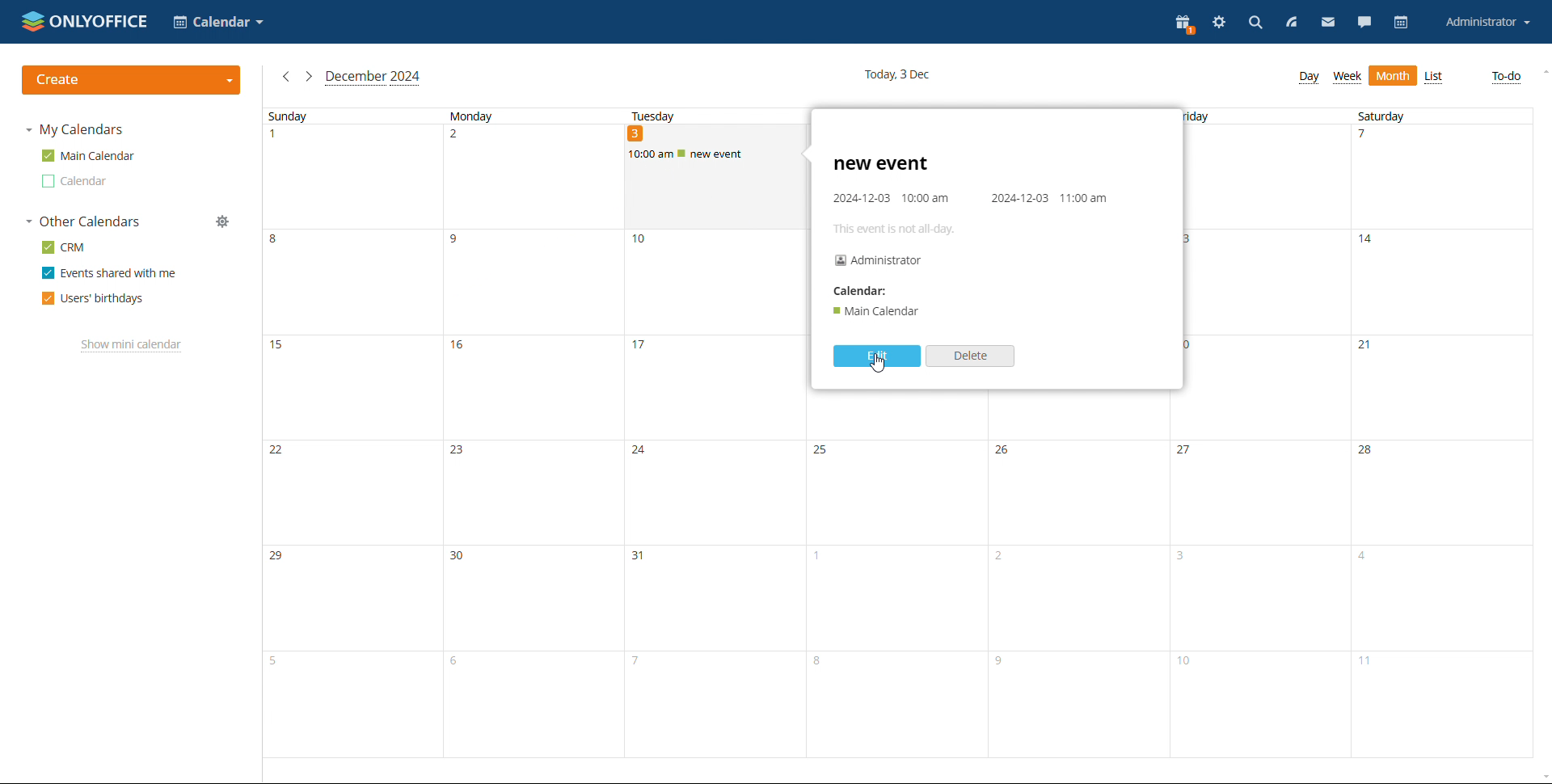 Image resolution: width=1552 pixels, height=784 pixels. I want to click on 1, so click(892, 598).